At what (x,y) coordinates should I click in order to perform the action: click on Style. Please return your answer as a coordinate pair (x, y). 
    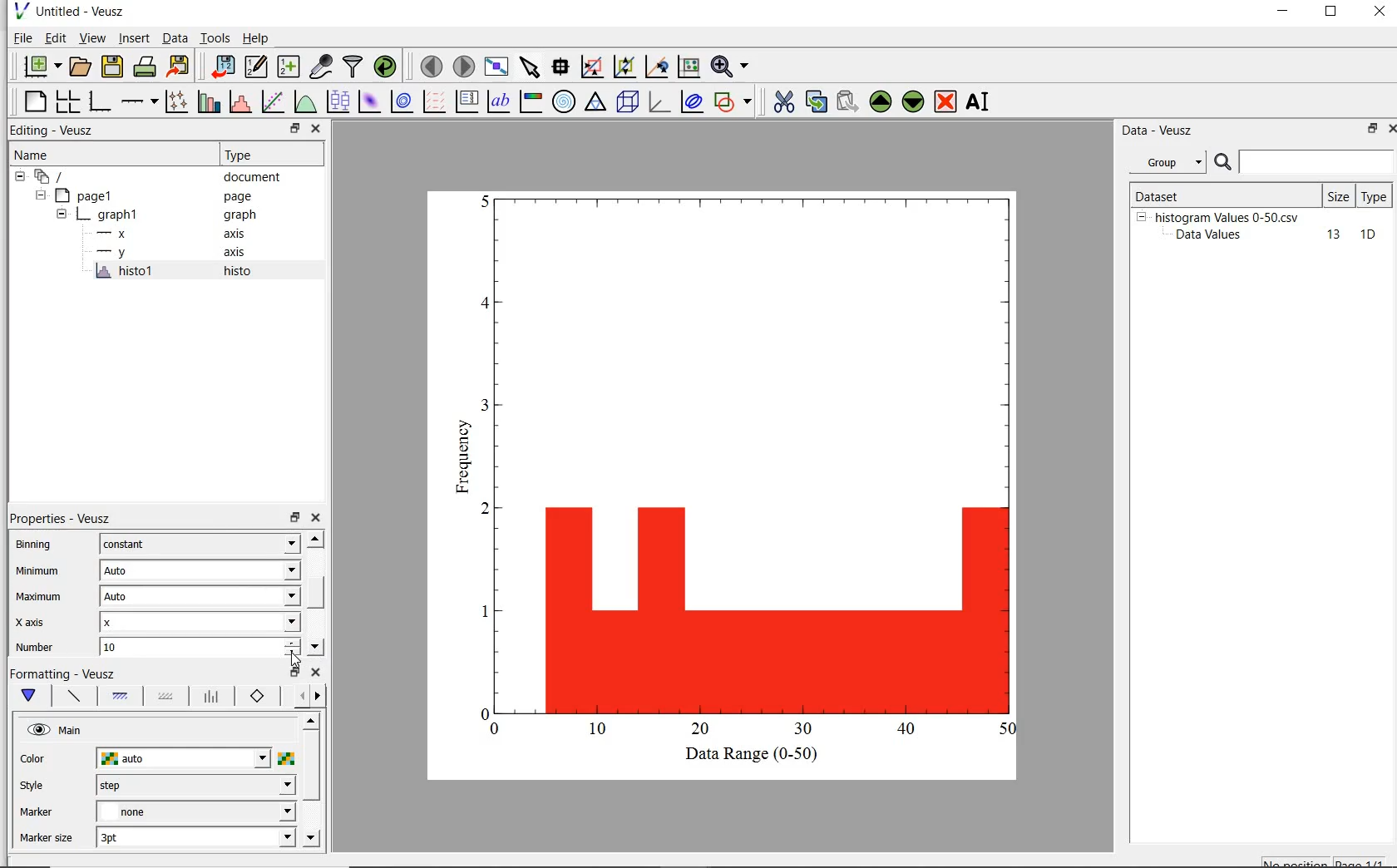
    Looking at the image, I should click on (36, 787).